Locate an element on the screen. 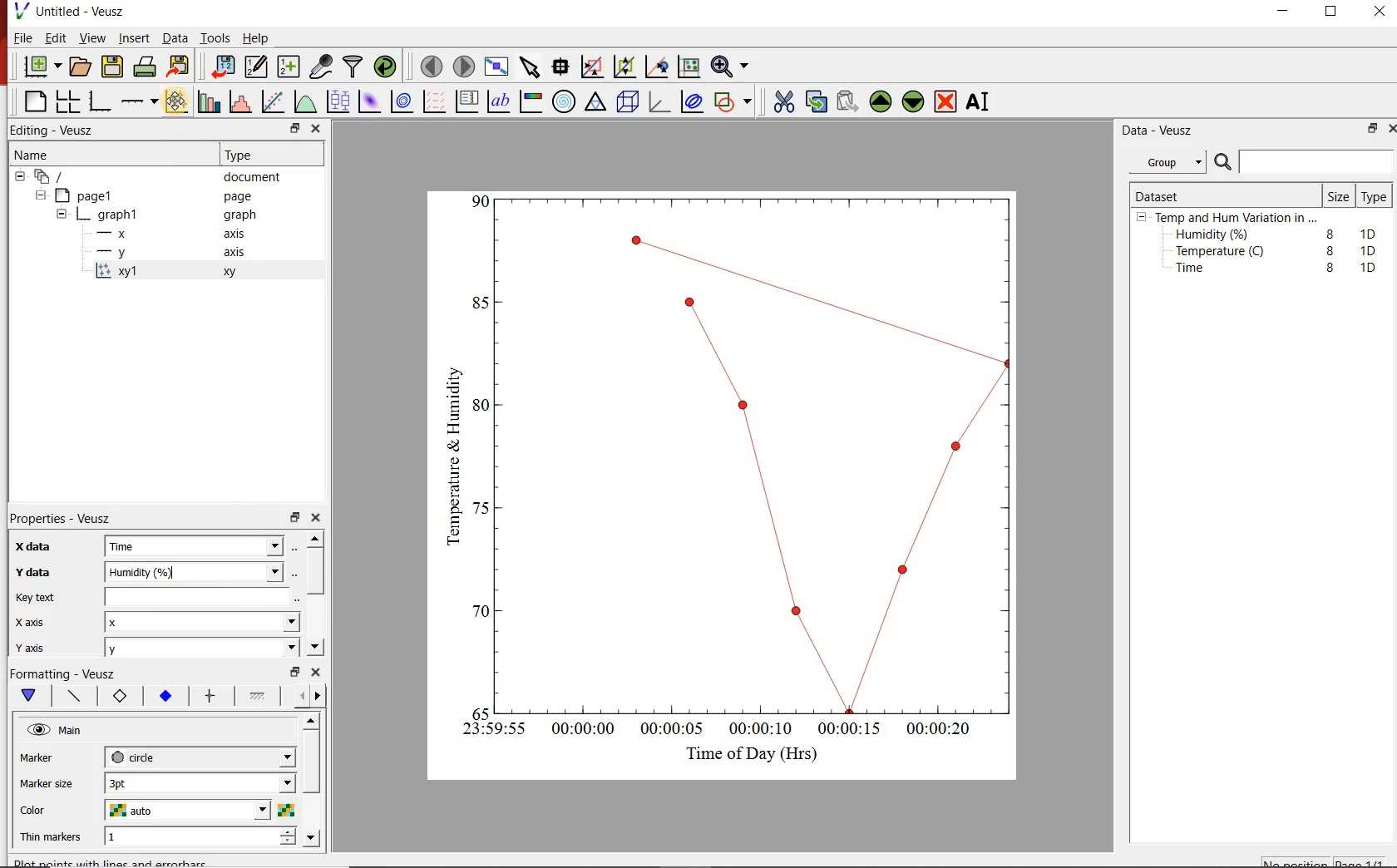 The image size is (1397, 868). click to reset graph axes is located at coordinates (686, 67).